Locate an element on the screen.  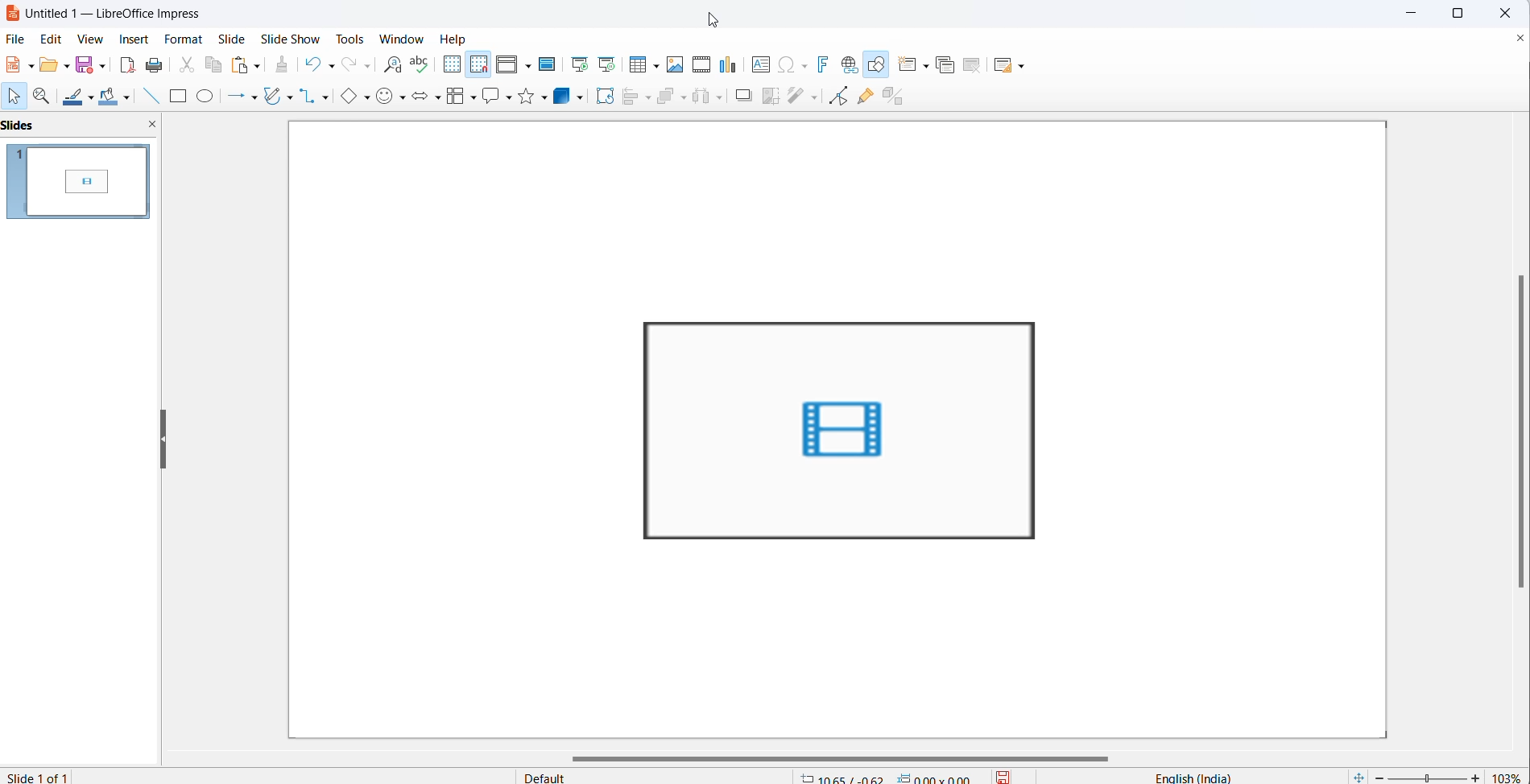
spellings is located at coordinates (421, 64).